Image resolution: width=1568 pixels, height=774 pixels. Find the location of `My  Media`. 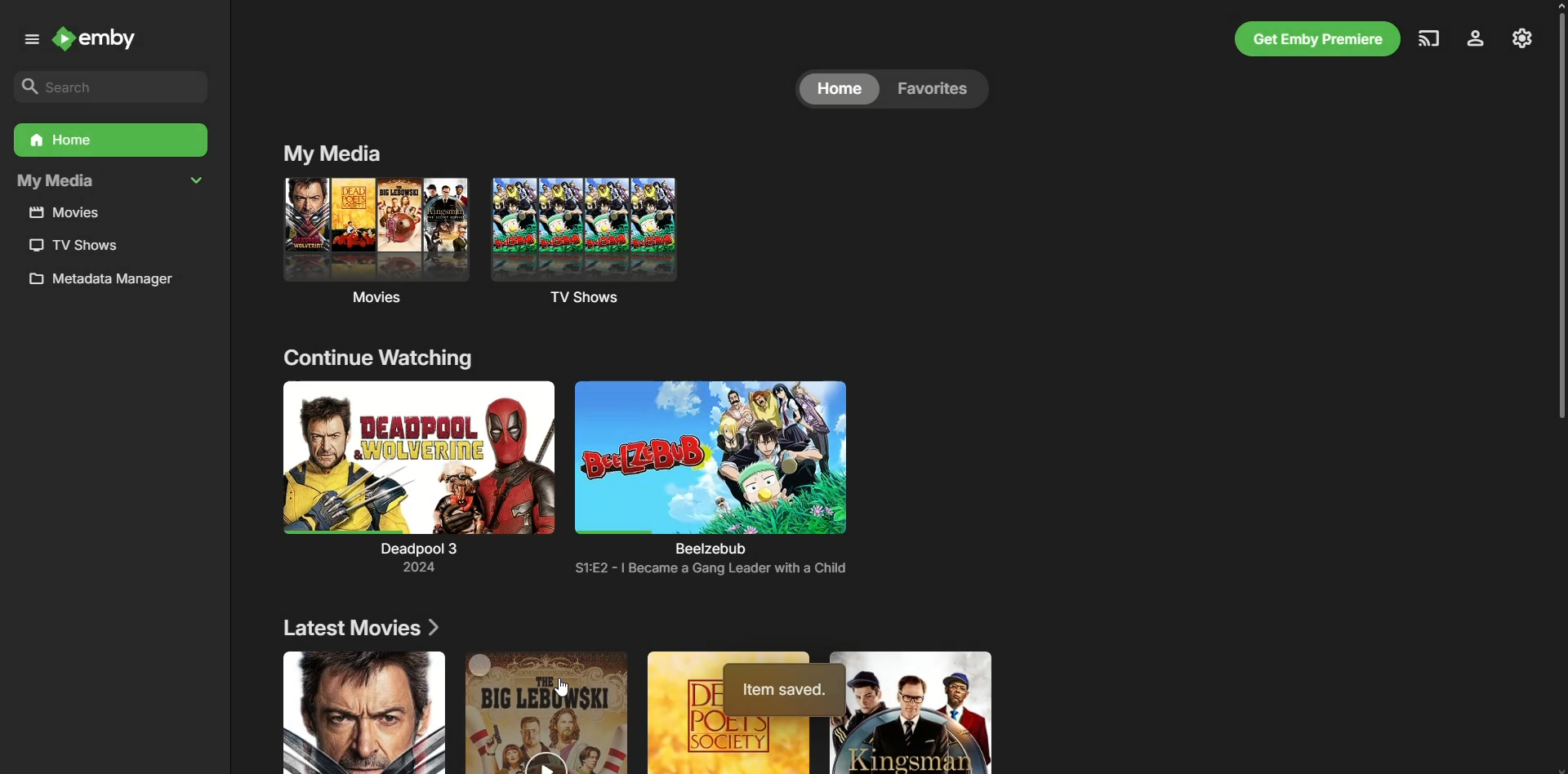

My  Media is located at coordinates (330, 153).